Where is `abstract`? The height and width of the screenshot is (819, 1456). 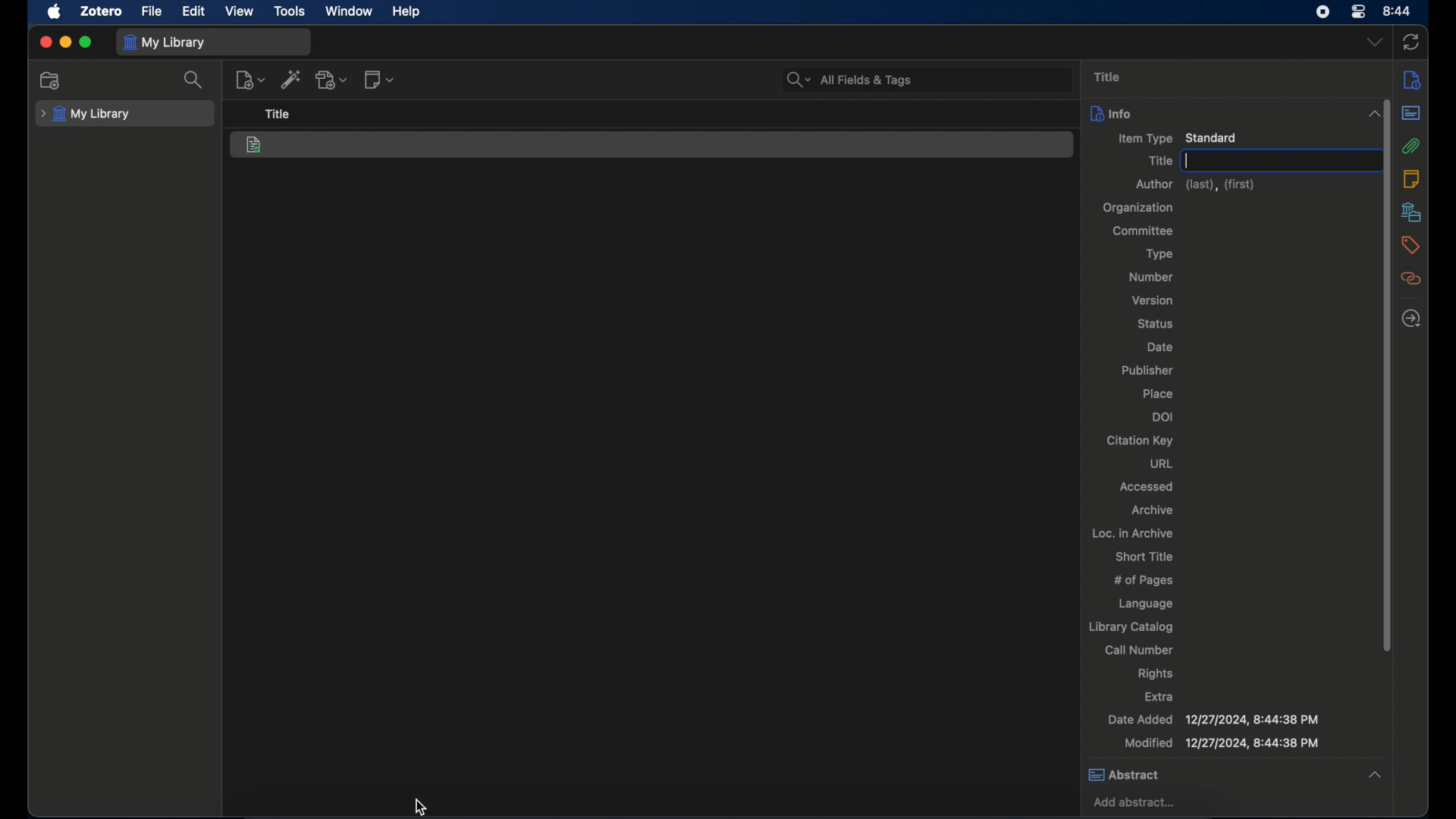
abstract is located at coordinates (1216, 776).